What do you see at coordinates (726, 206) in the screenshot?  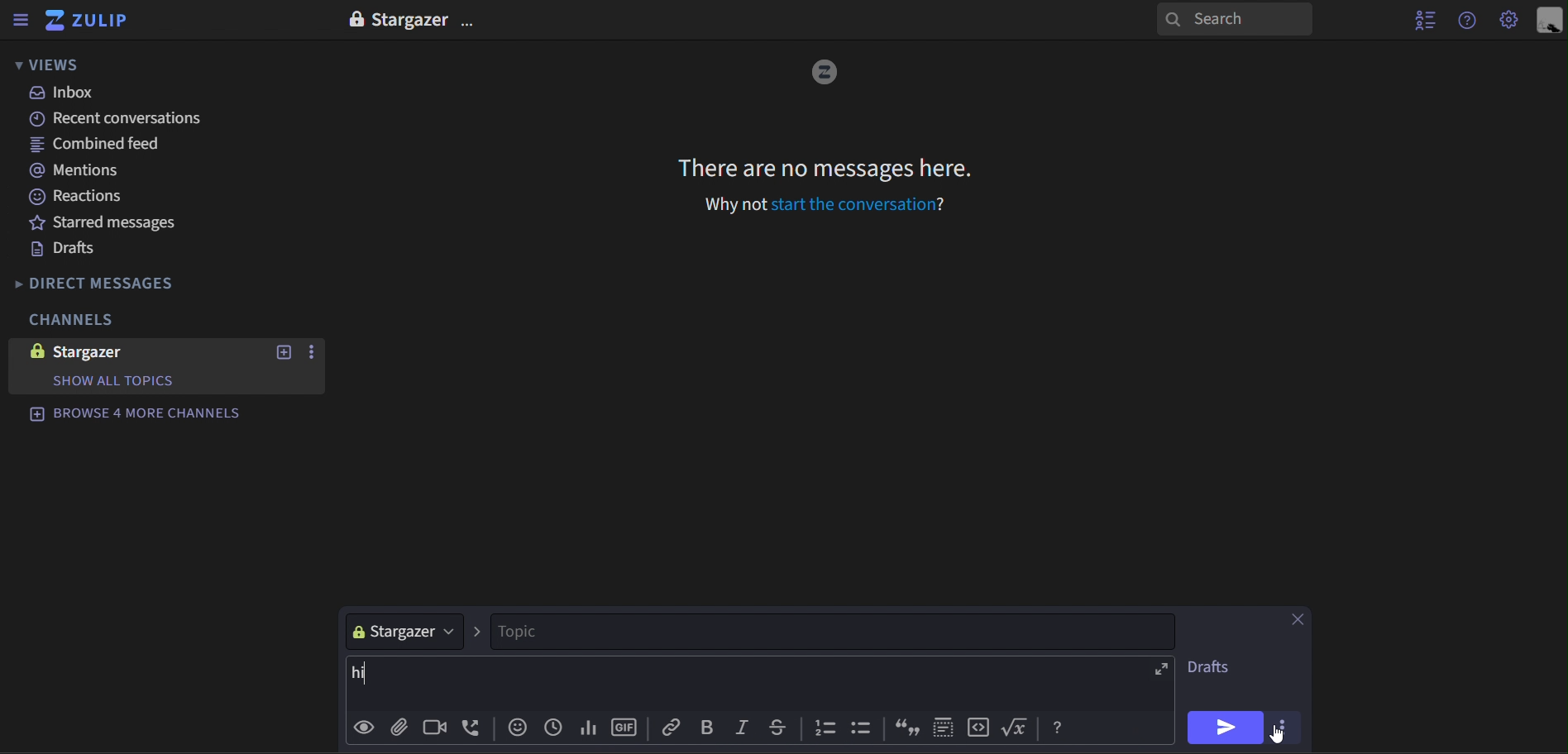 I see `Why not` at bounding box center [726, 206].